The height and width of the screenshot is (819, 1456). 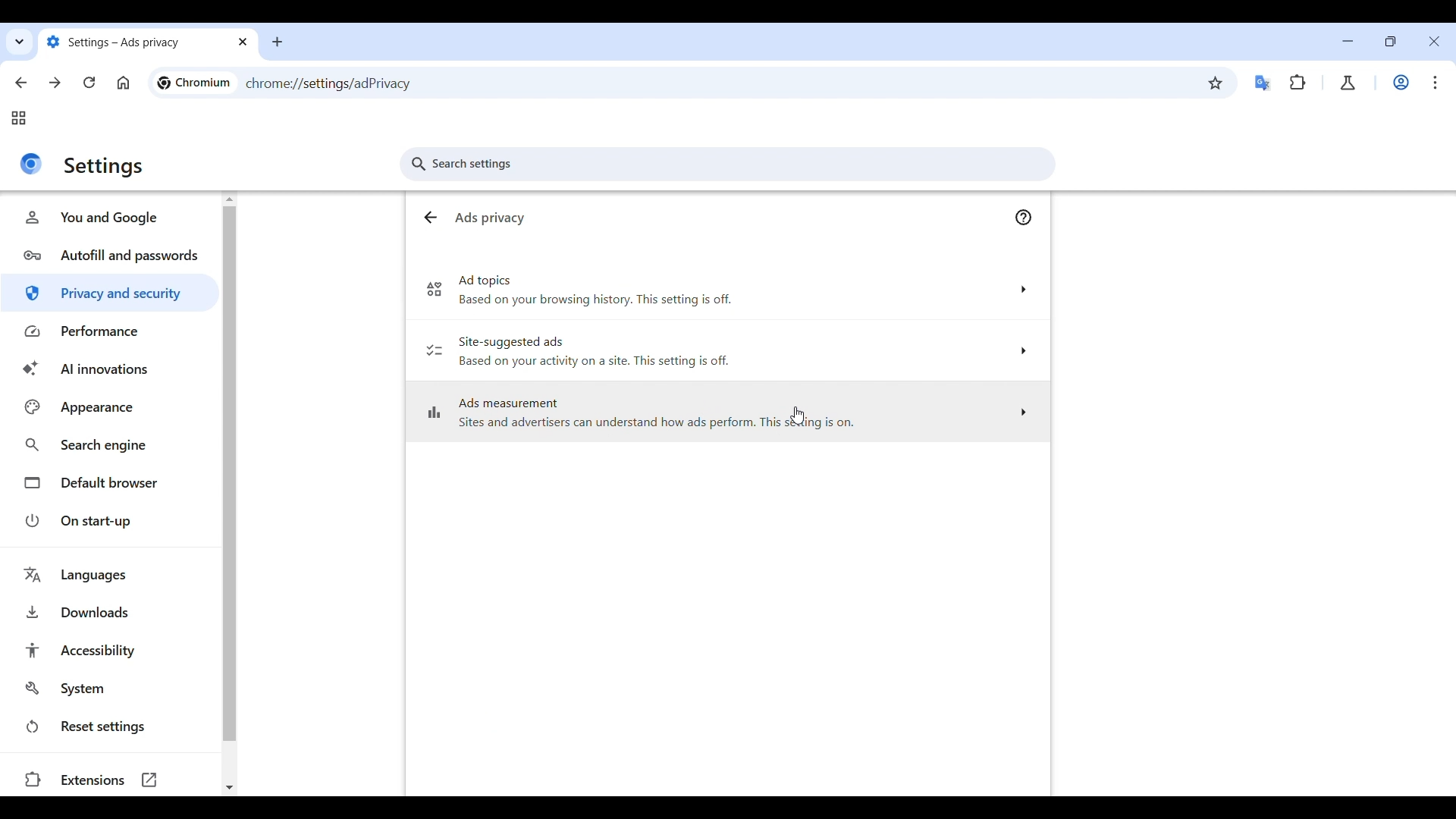 I want to click on Ads privacy, so click(x=496, y=219).